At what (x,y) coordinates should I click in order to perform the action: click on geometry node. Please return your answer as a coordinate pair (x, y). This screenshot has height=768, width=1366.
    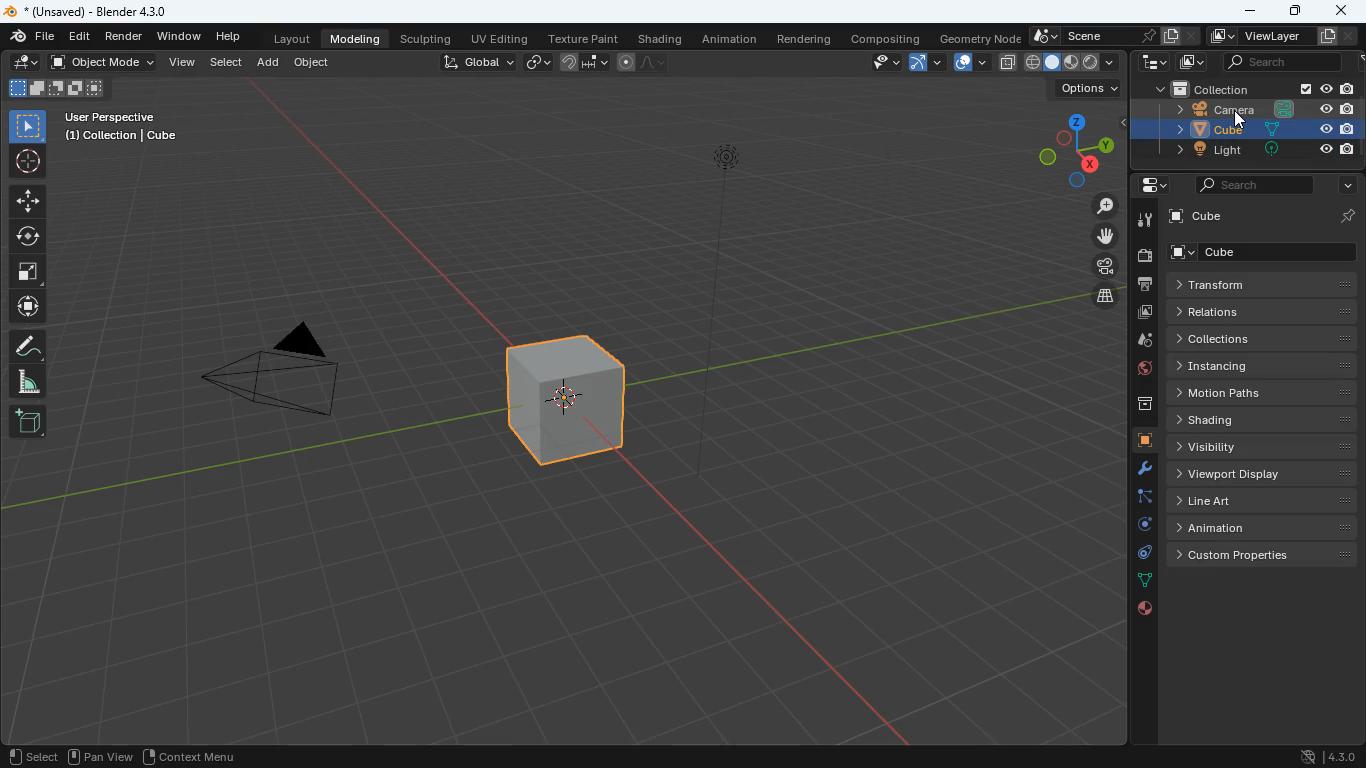
    Looking at the image, I should click on (981, 37).